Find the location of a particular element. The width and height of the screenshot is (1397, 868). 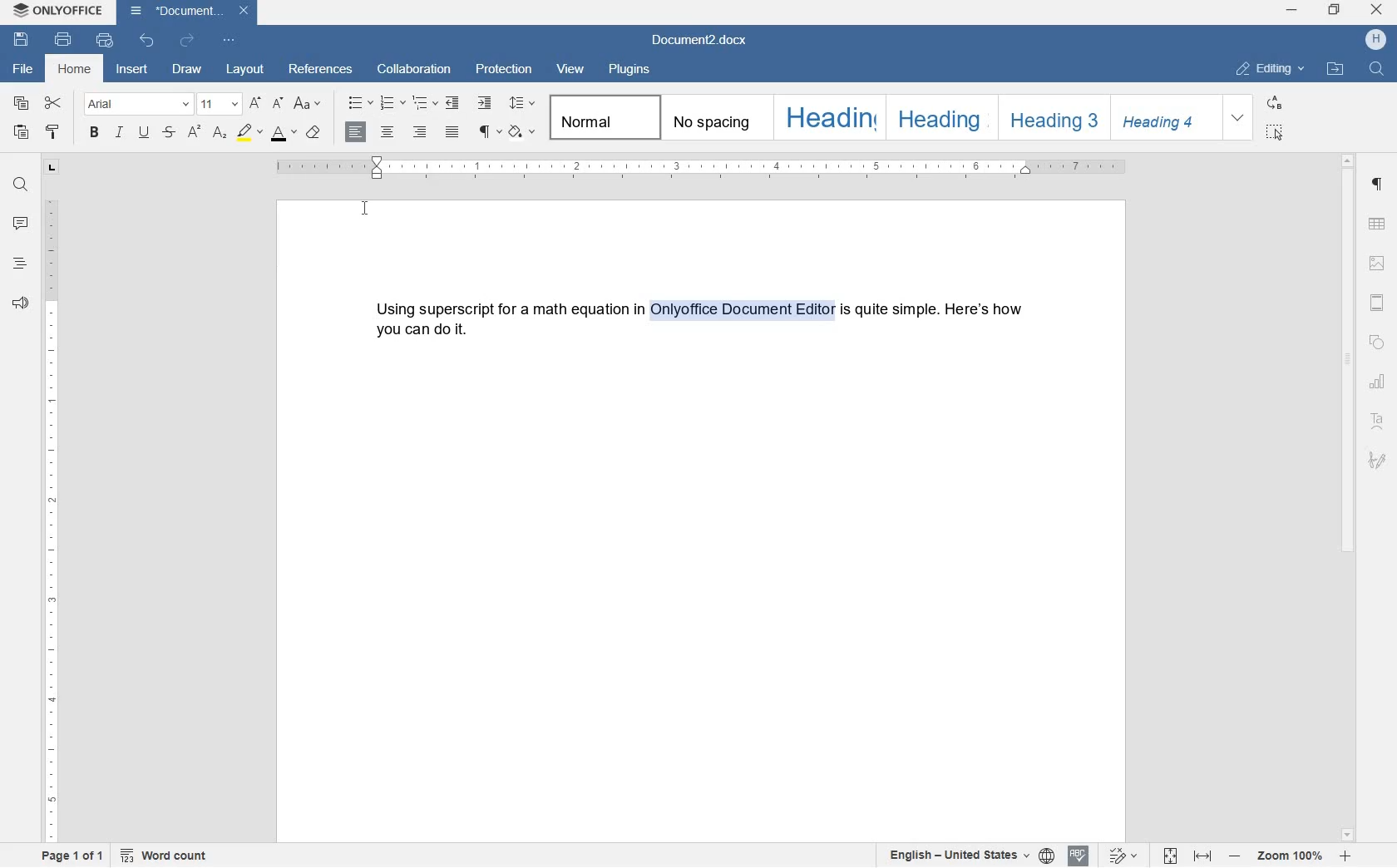

table is located at coordinates (1378, 224).